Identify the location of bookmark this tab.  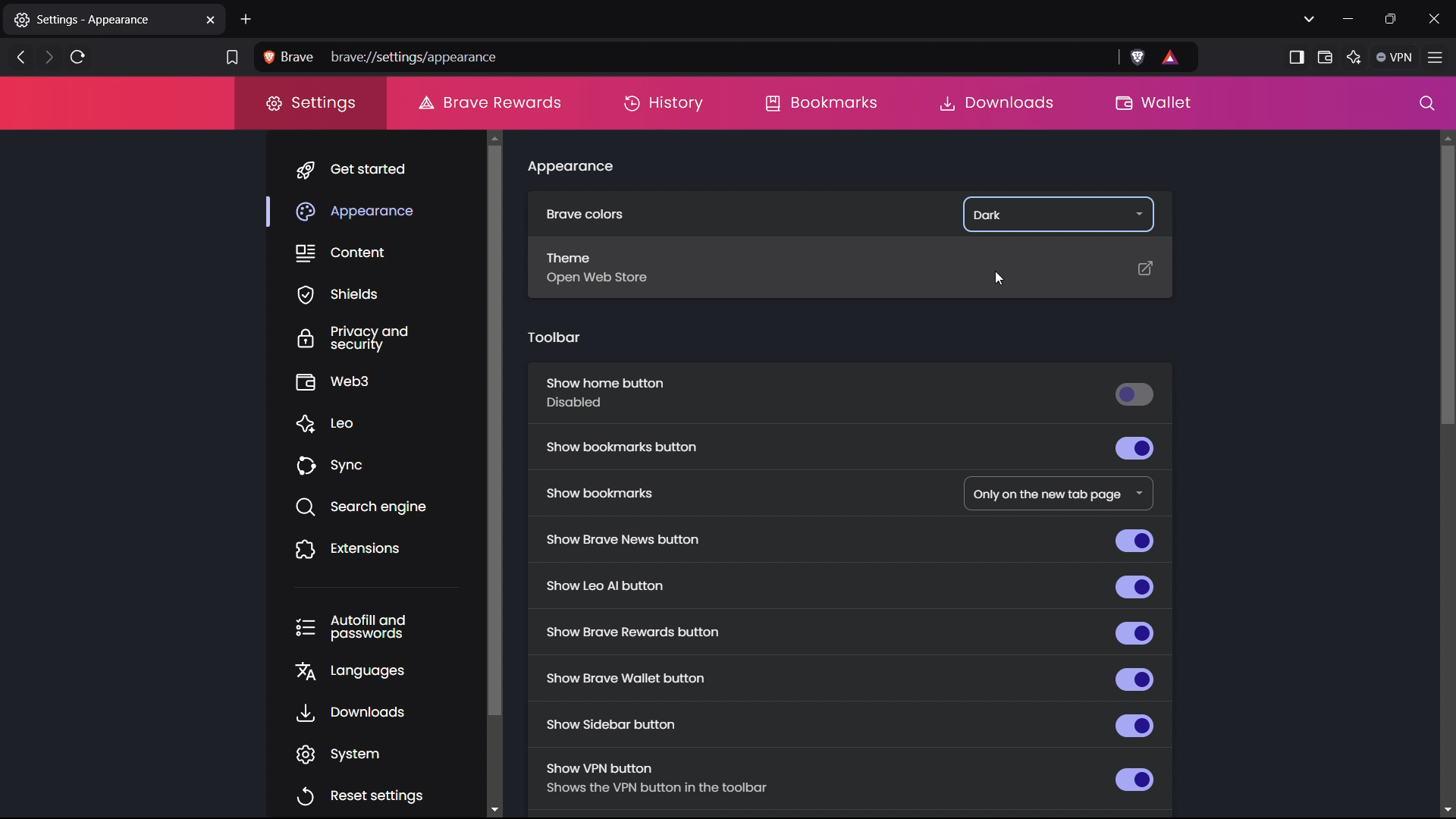
(232, 59).